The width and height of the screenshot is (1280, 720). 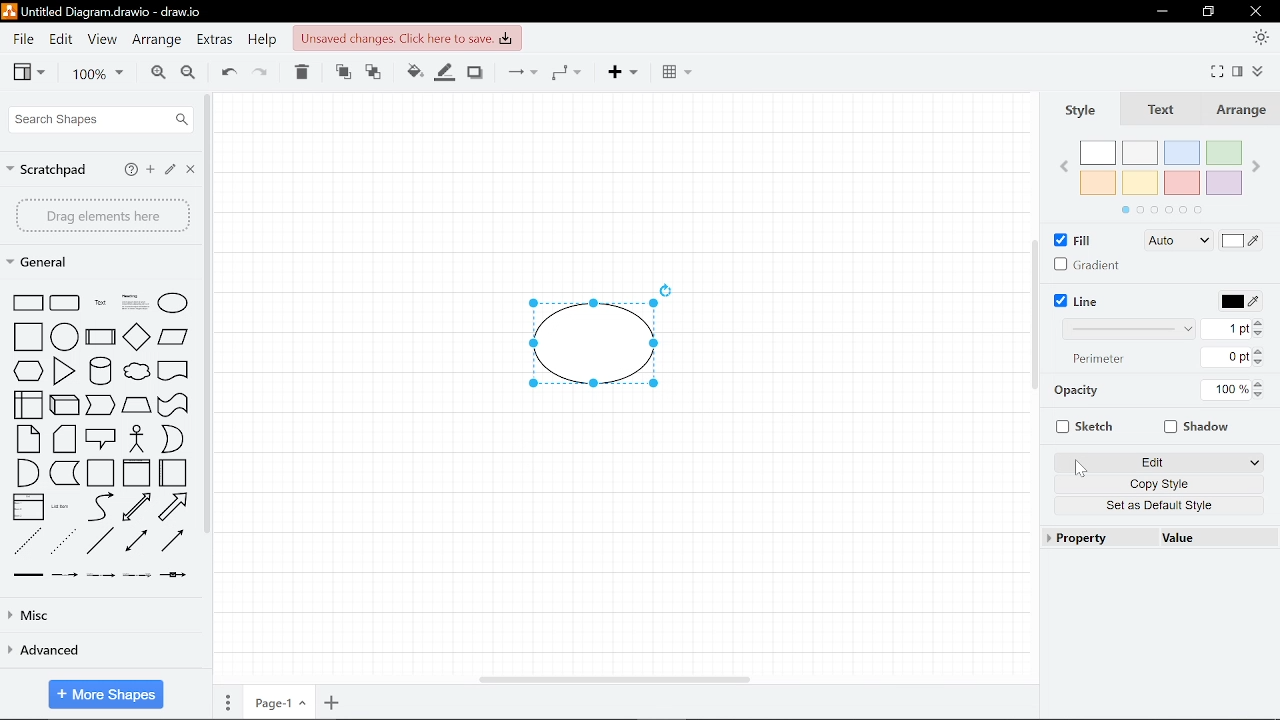 I want to click on line, so click(x=98, y=542).